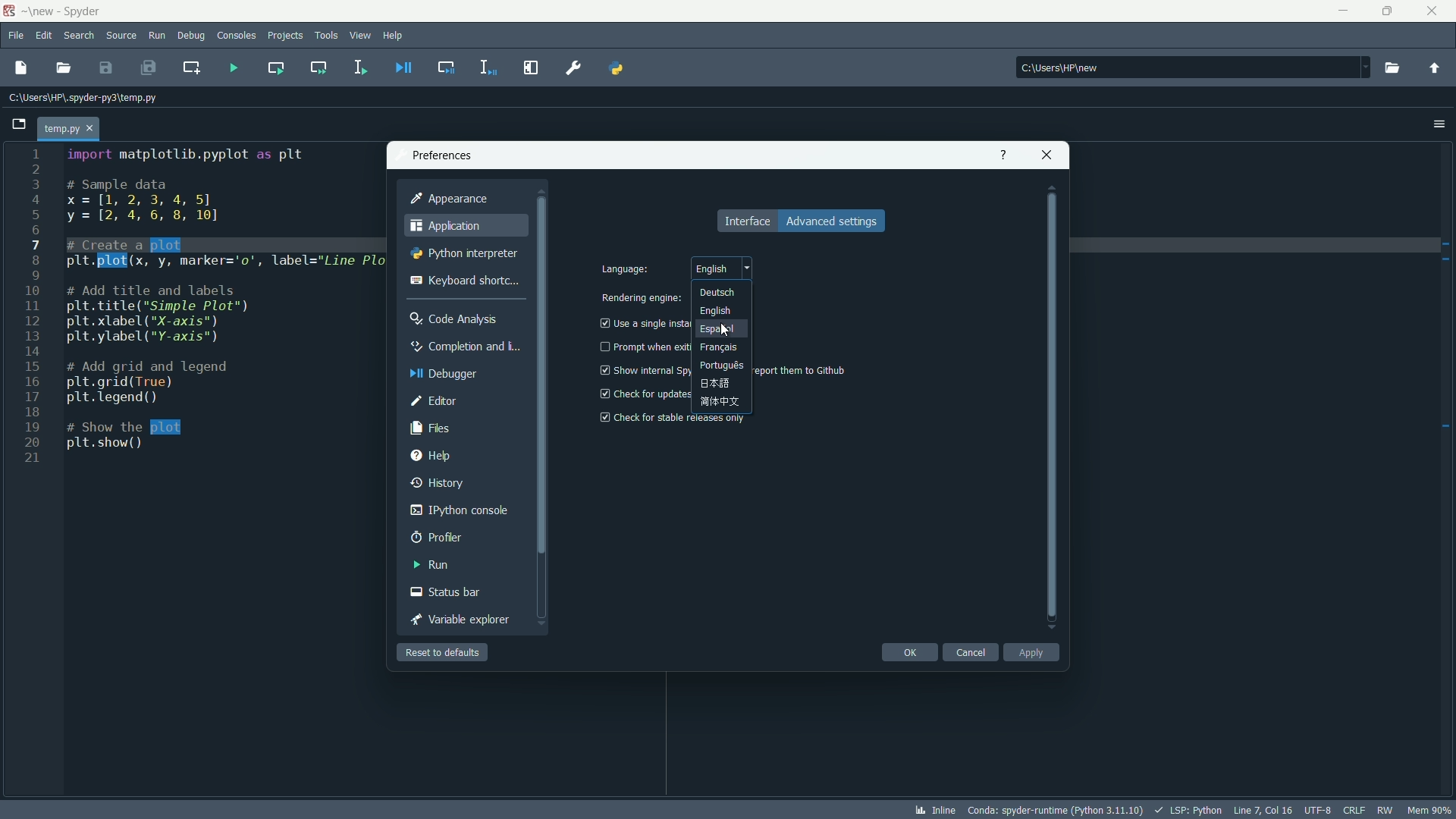 The height and width of the screenshot is (819, 1456). What do you see at coordinates (359, 36) in the screenshot?
I see `view` at bounding box center [359, 36].